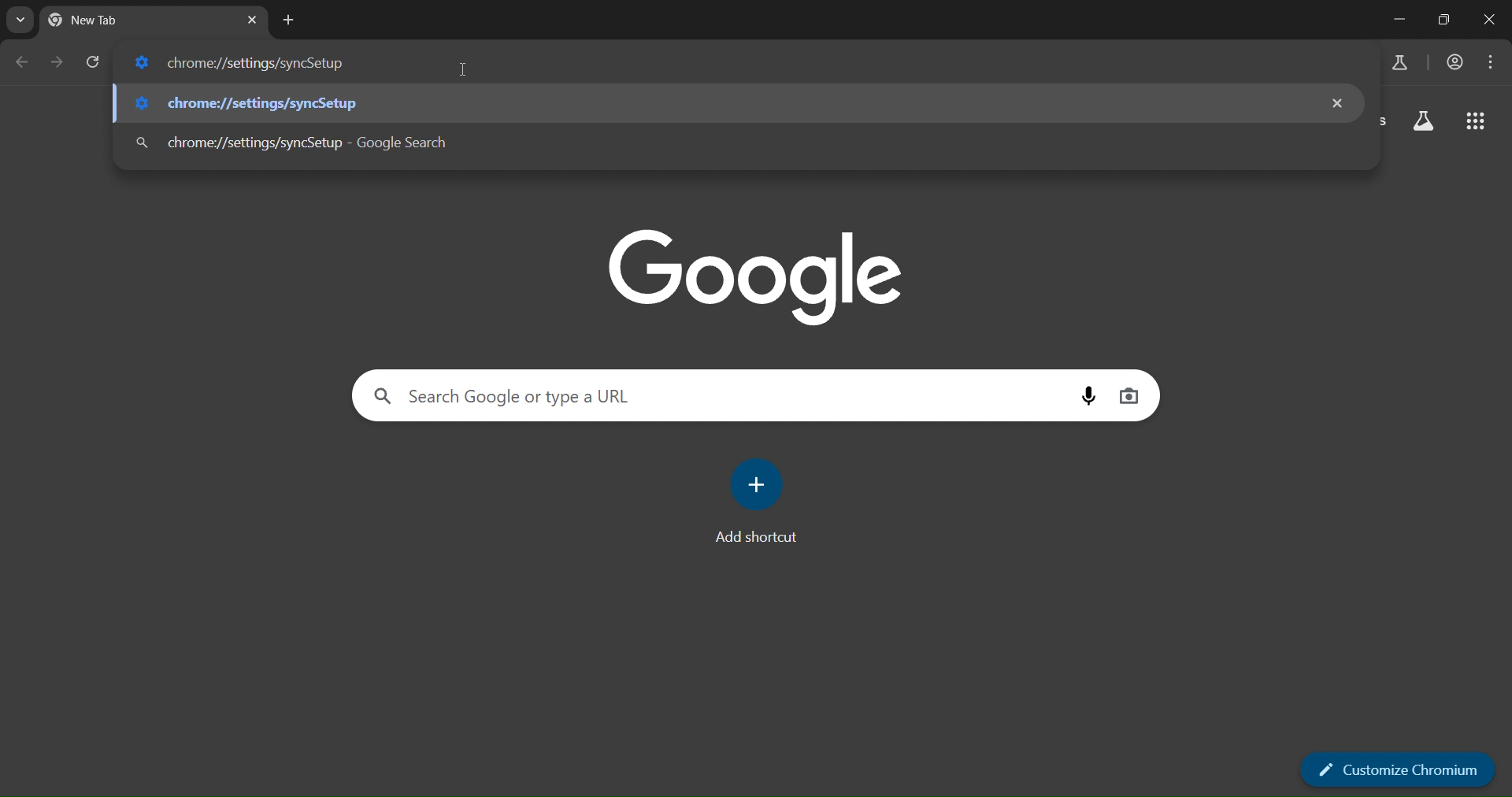  Describe the element at coordinates (753, 276) in the screenshot. I see `Google` at that location.